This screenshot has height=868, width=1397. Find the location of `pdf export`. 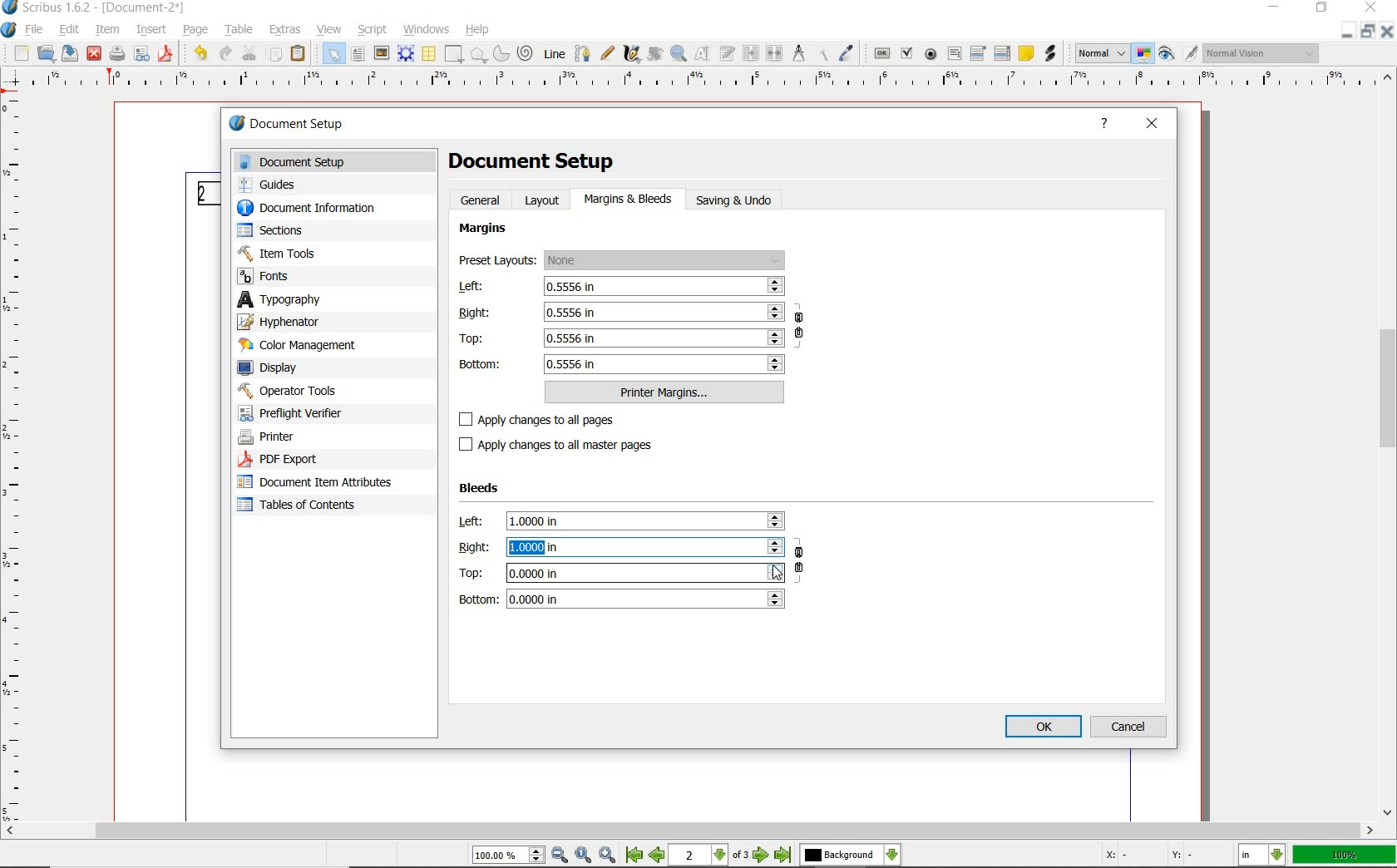

pdf export is located at coordinates (298, 460).